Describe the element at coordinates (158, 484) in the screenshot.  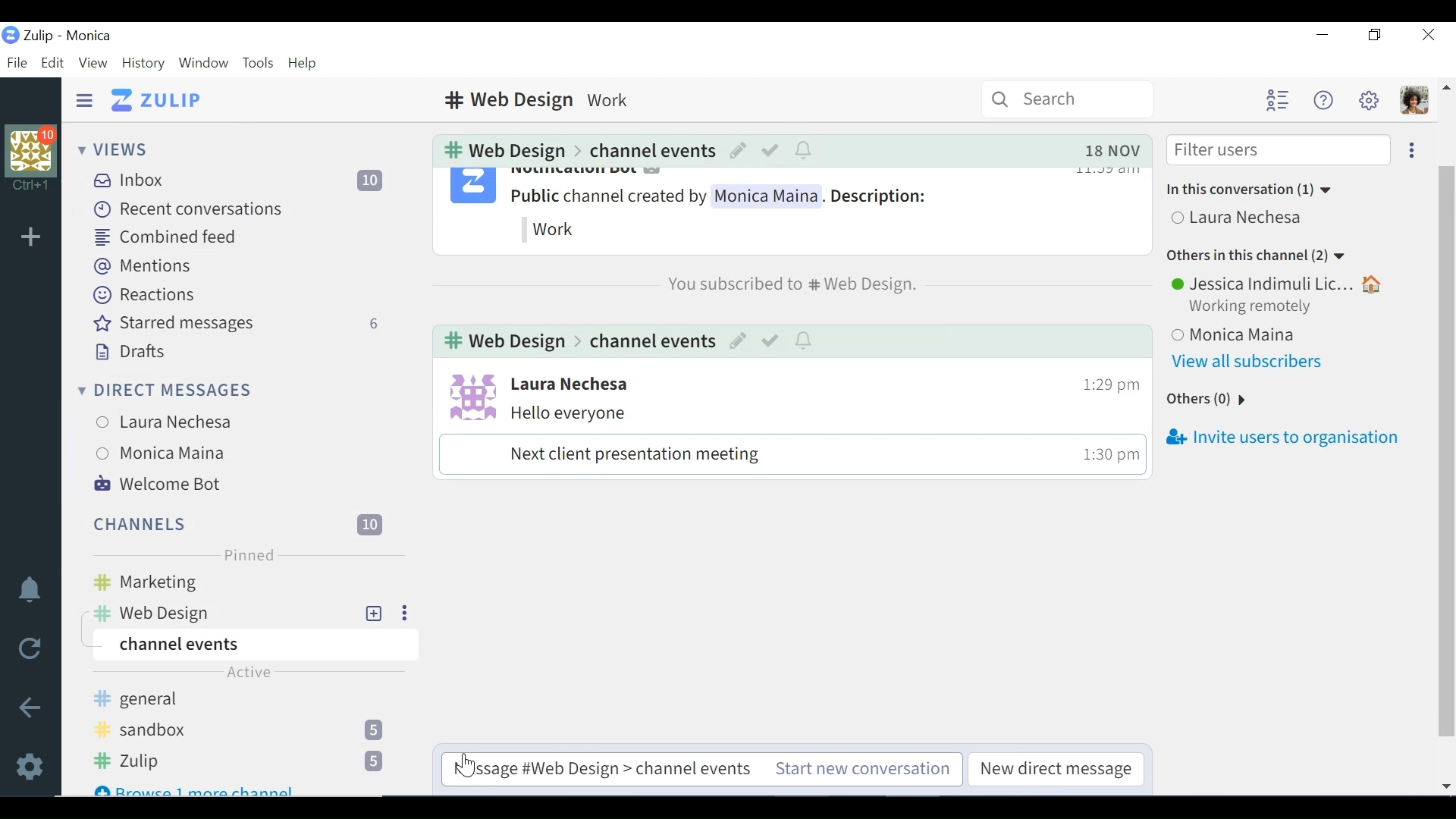
I see `Welcome Bot` at that location.